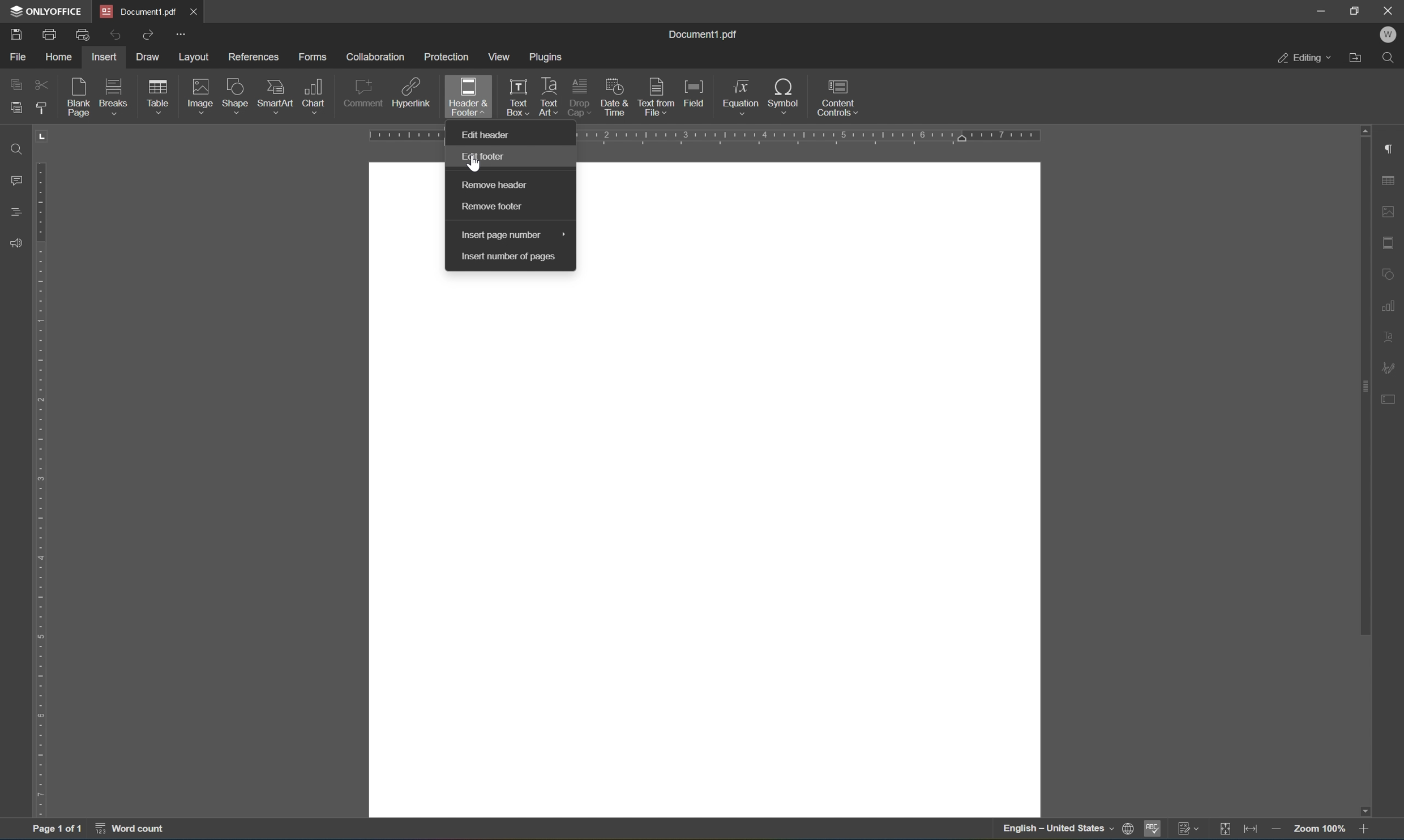 The height and width of the screenshot is (840, 1404). I want to click on page 1 of 1, so click(59, 826).